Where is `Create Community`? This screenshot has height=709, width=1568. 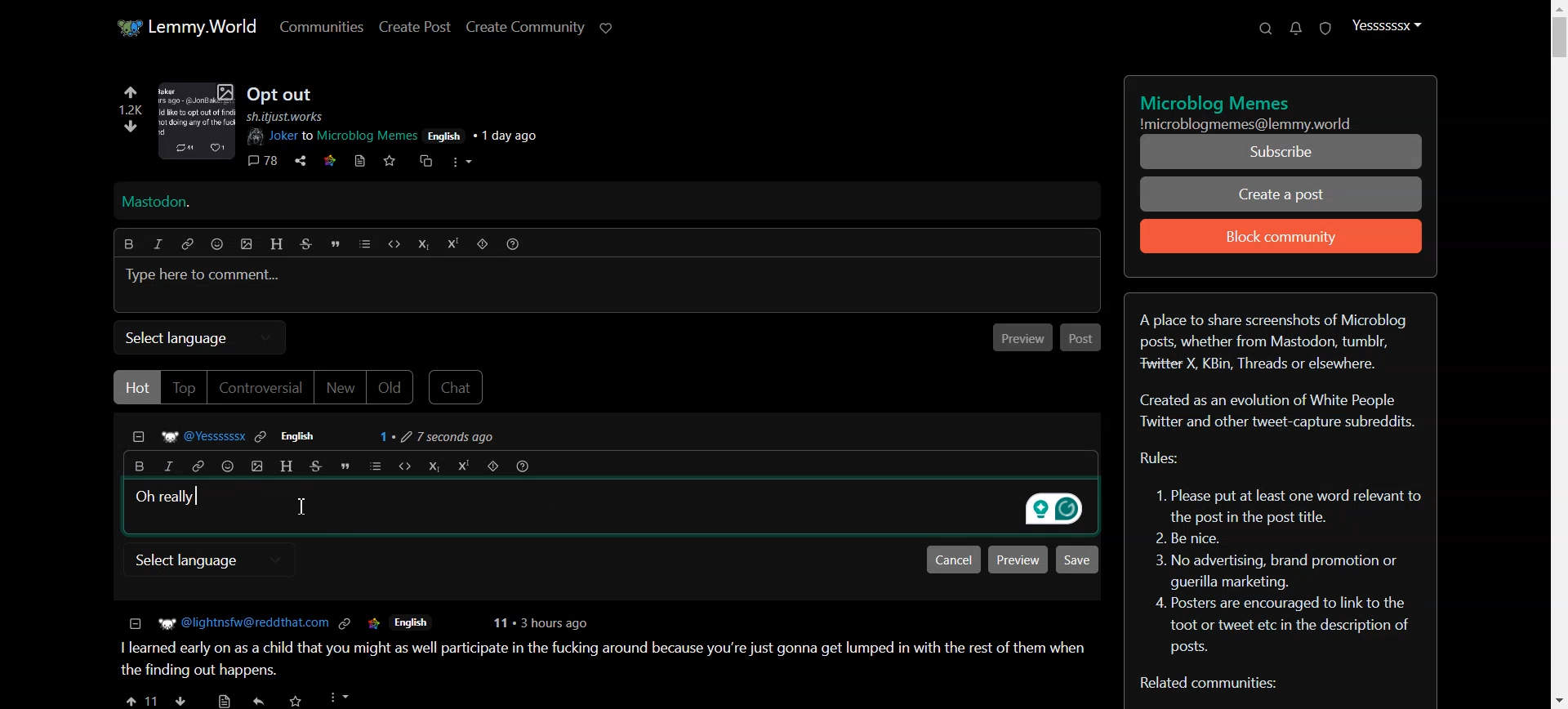
Create Community is located at coordinates (526, 27).